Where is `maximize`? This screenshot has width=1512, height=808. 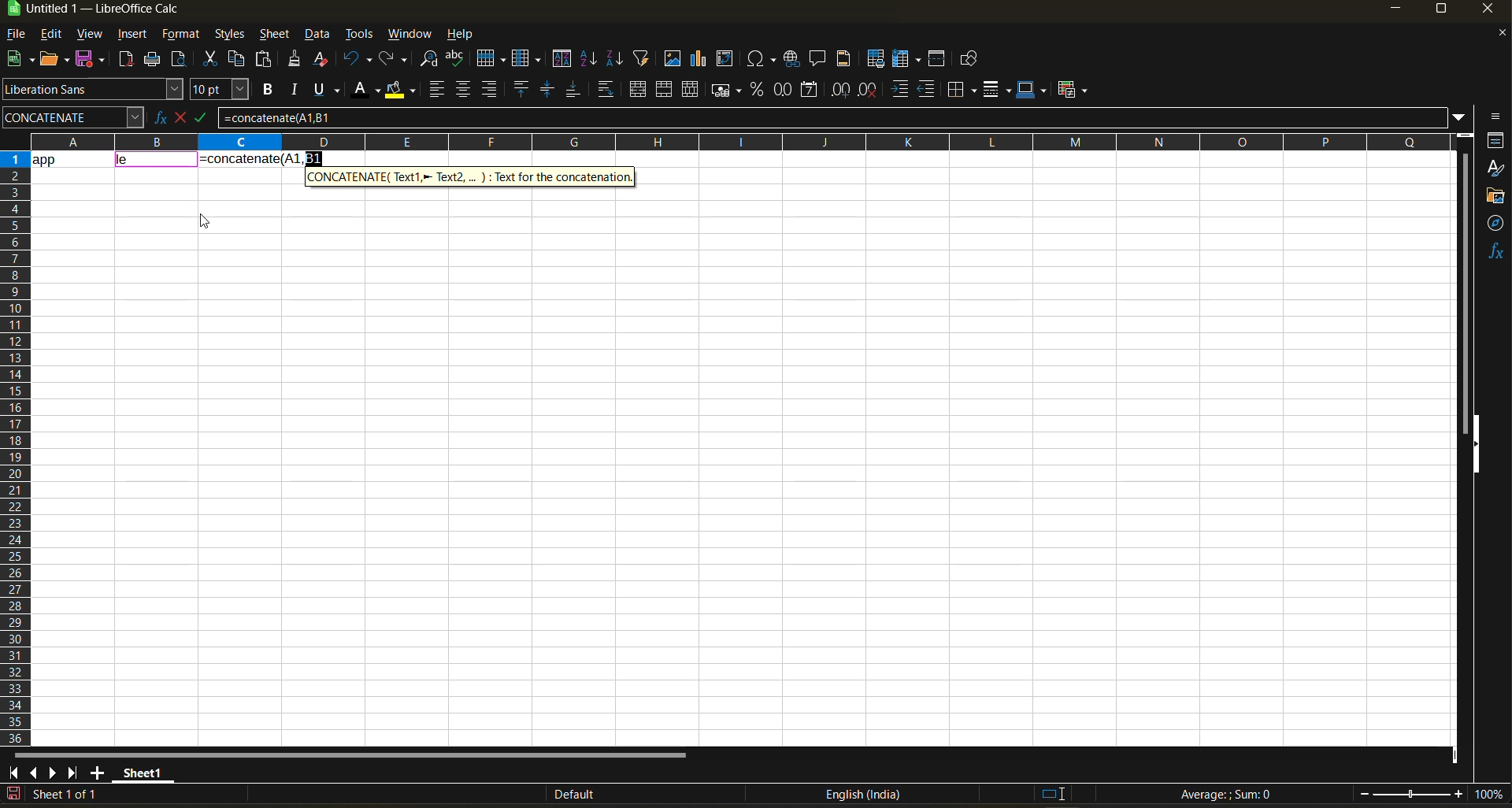 maximize is located at coordinates (1440, 12).